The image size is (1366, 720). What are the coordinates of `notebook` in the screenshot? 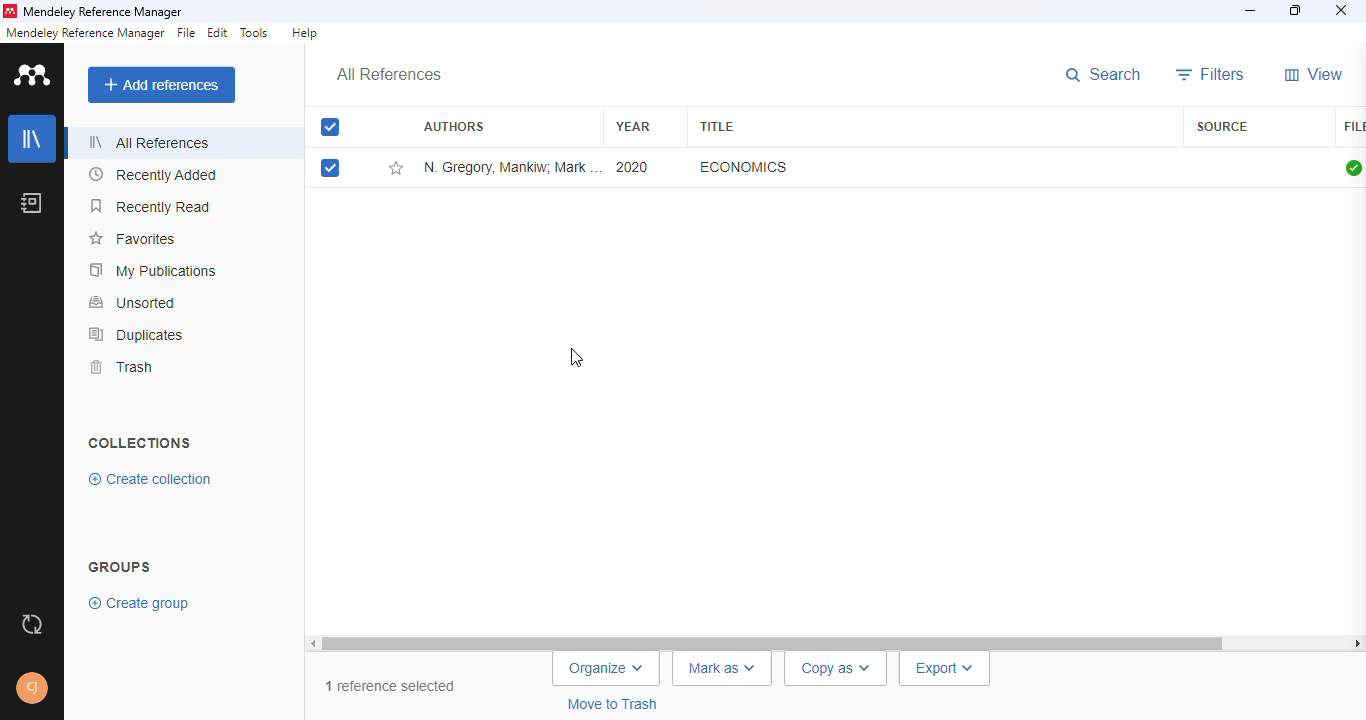 It's located at (30, 203).